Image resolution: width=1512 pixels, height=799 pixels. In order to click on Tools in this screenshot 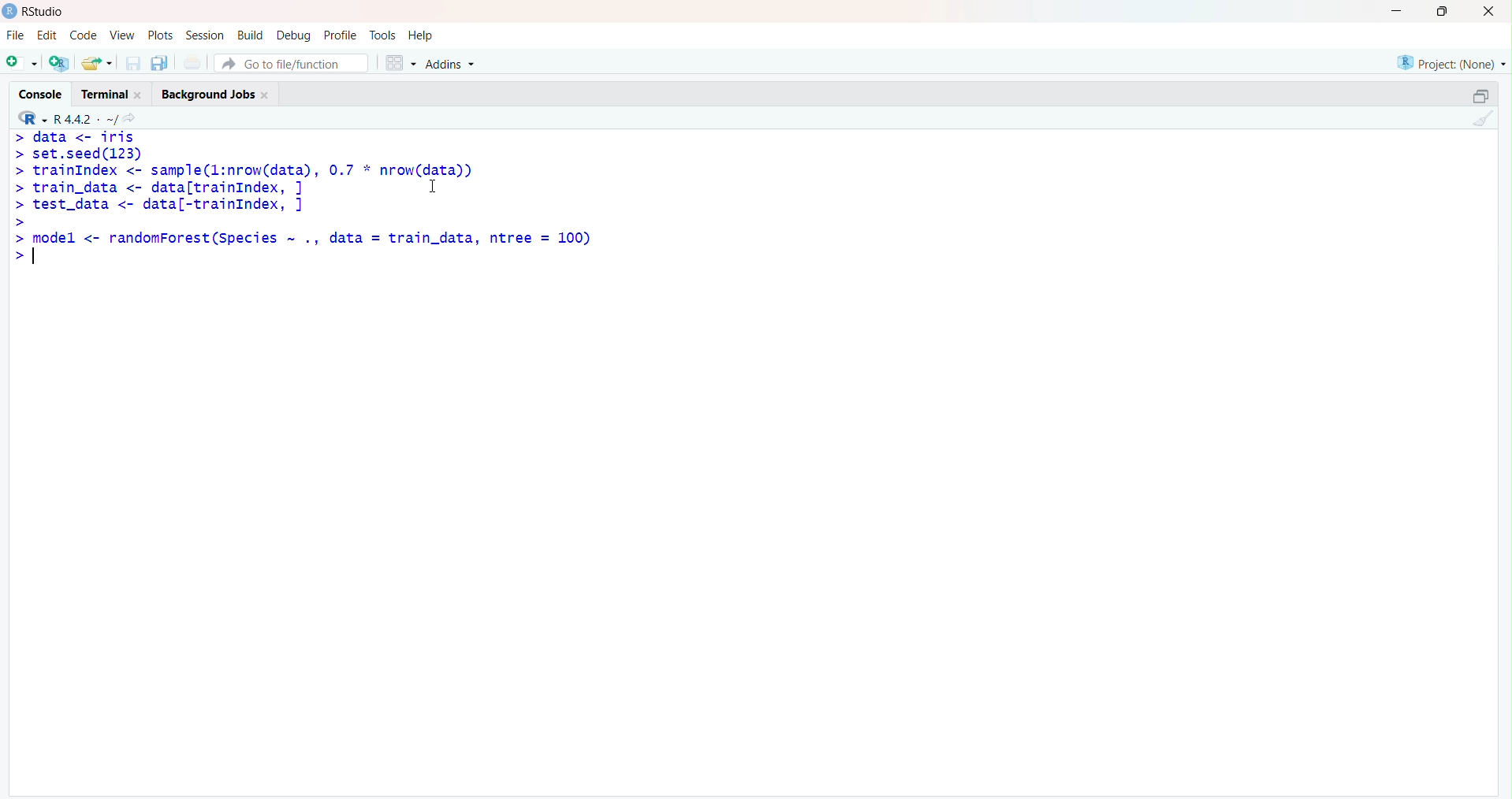, I will do `click(382, 34)`.